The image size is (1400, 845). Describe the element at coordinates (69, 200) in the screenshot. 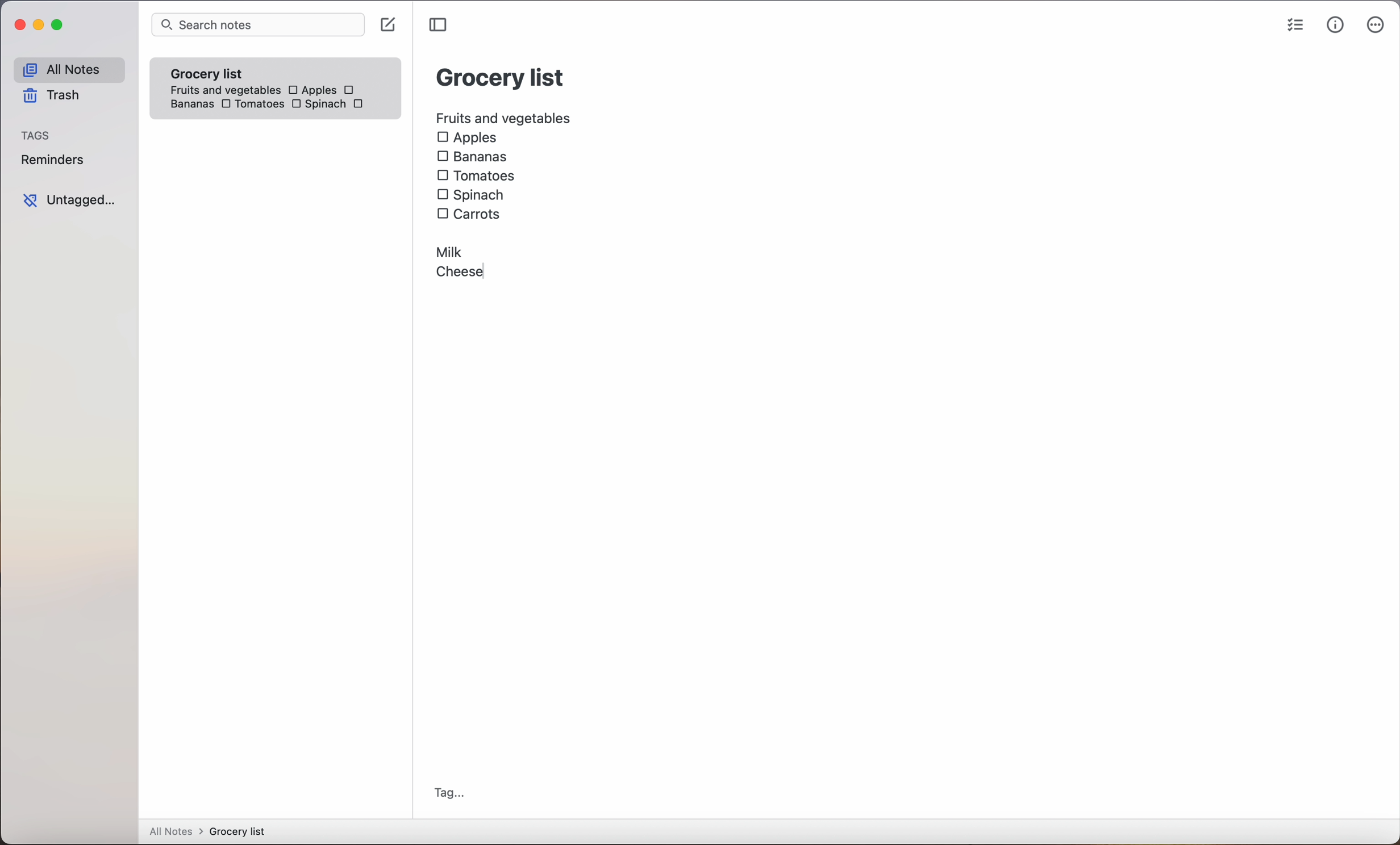

I see `untagged` at that location.